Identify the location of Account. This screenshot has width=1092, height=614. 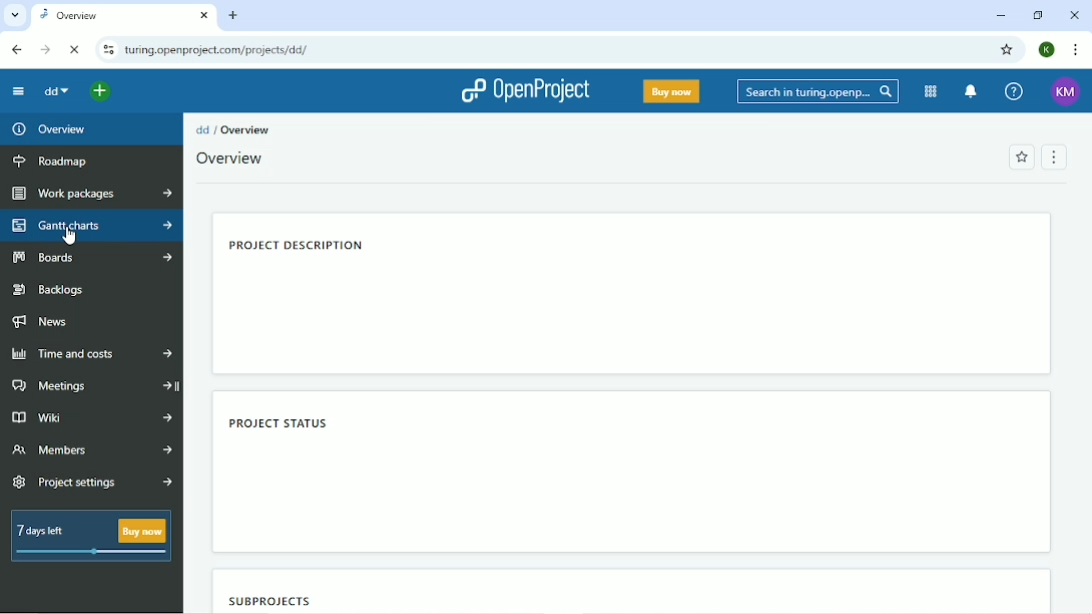
(1065, 92).